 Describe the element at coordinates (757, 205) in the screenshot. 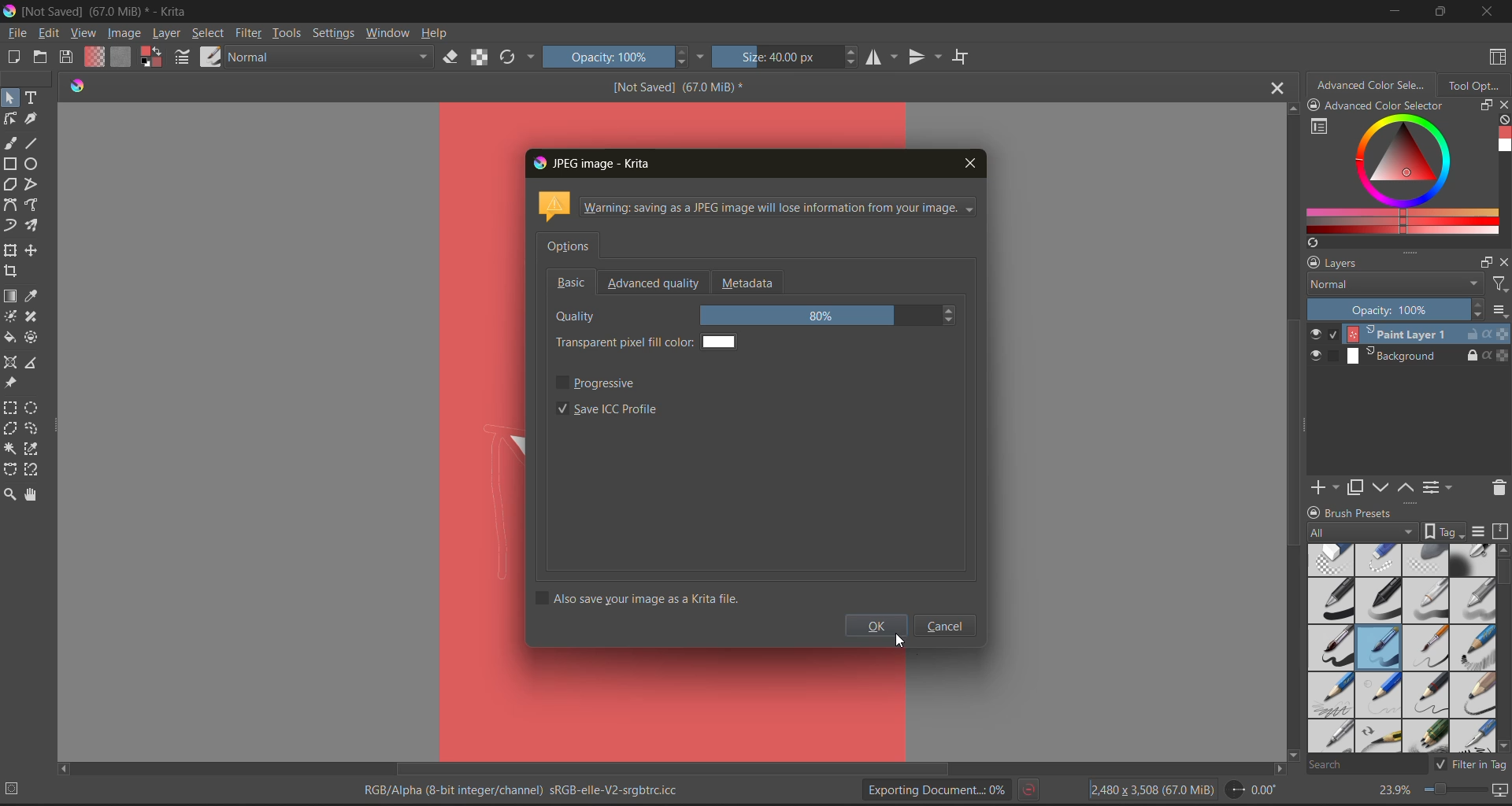

I see `metadata` at that location.